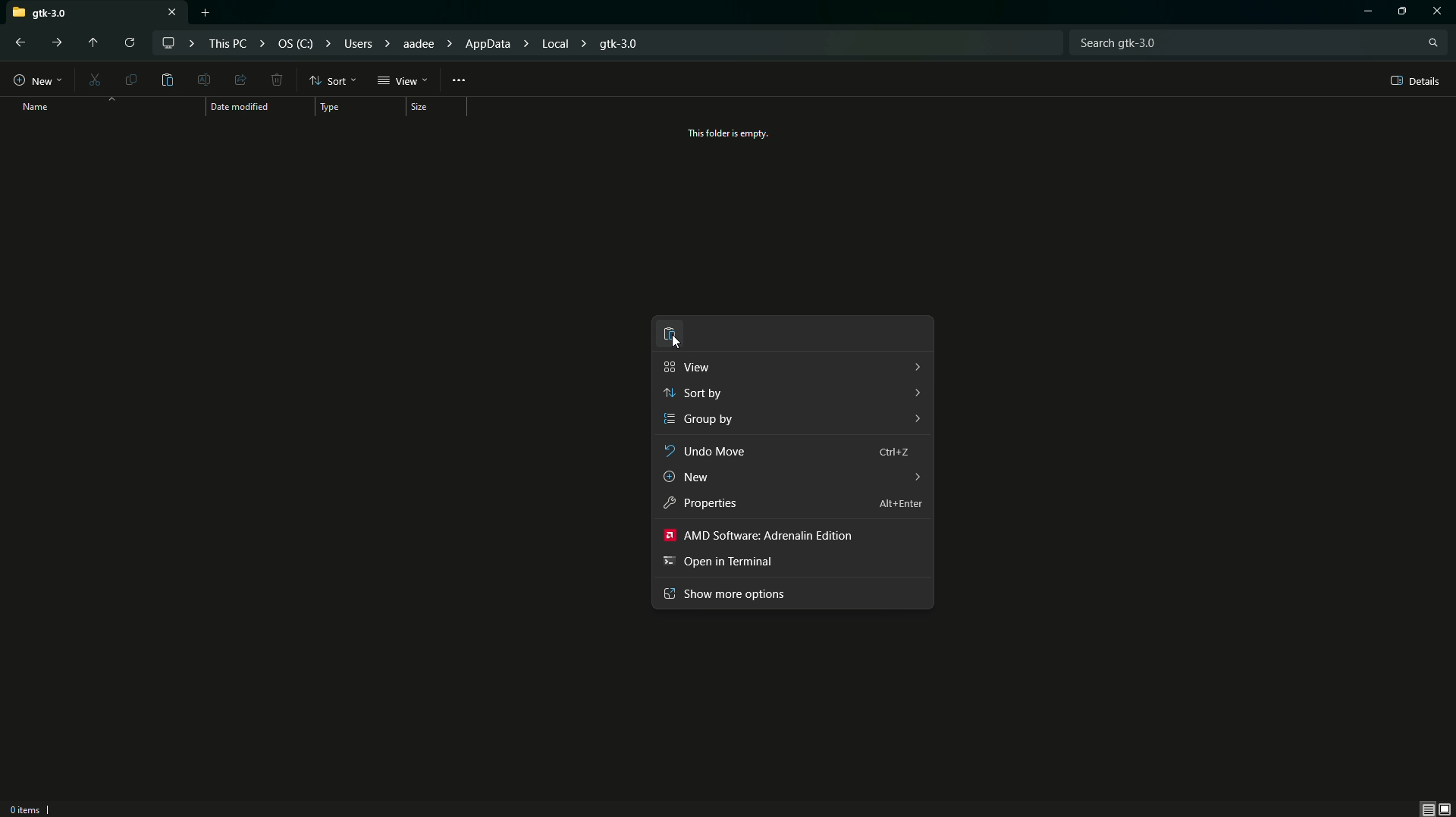 This screenshot has width=1456, height=817. What do you see at coordinates (795, 418) in the screenshot?
I see `Group by` at bounding box center [795, 418].